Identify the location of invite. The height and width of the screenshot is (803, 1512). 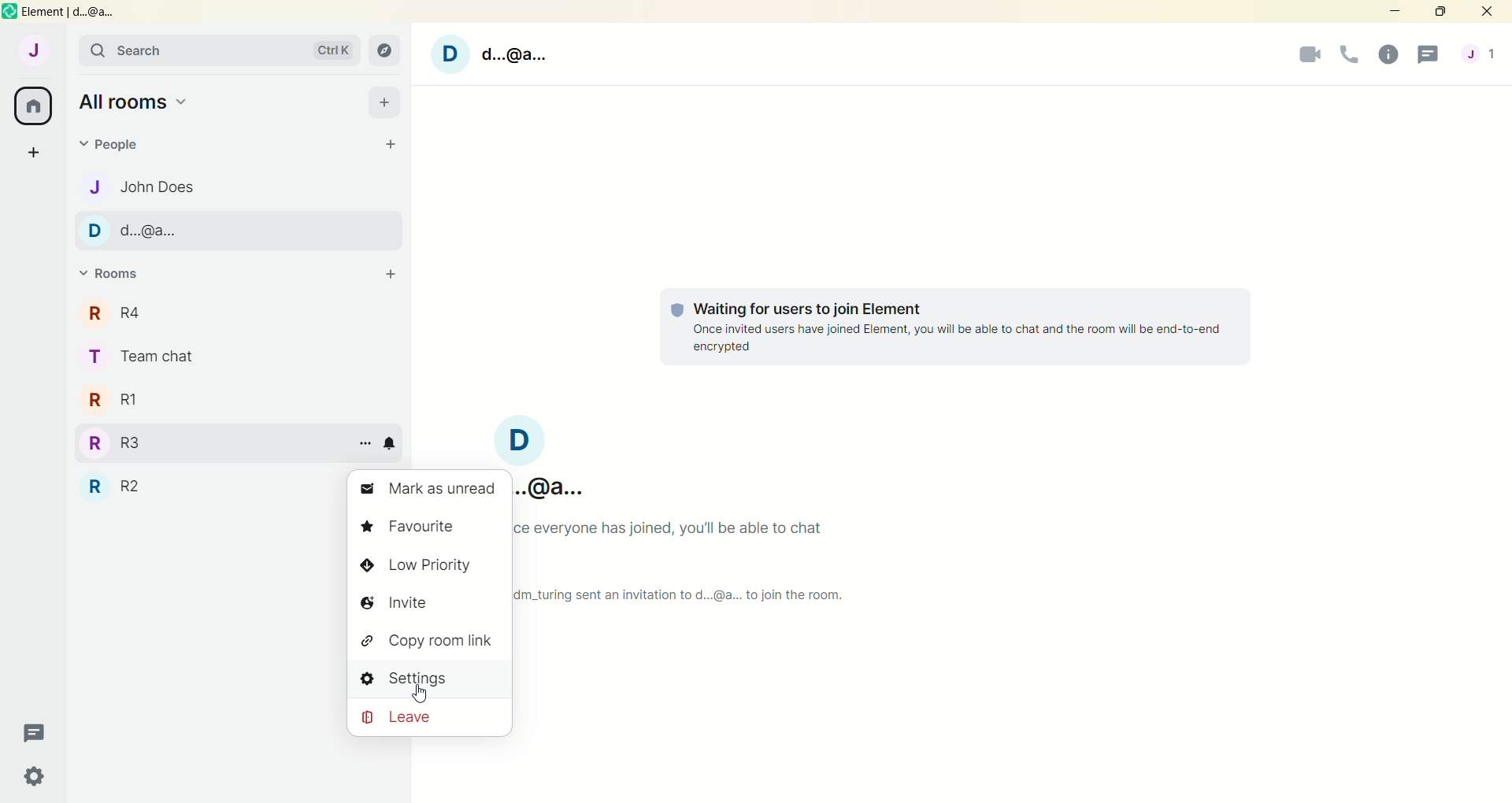
(428, 602).